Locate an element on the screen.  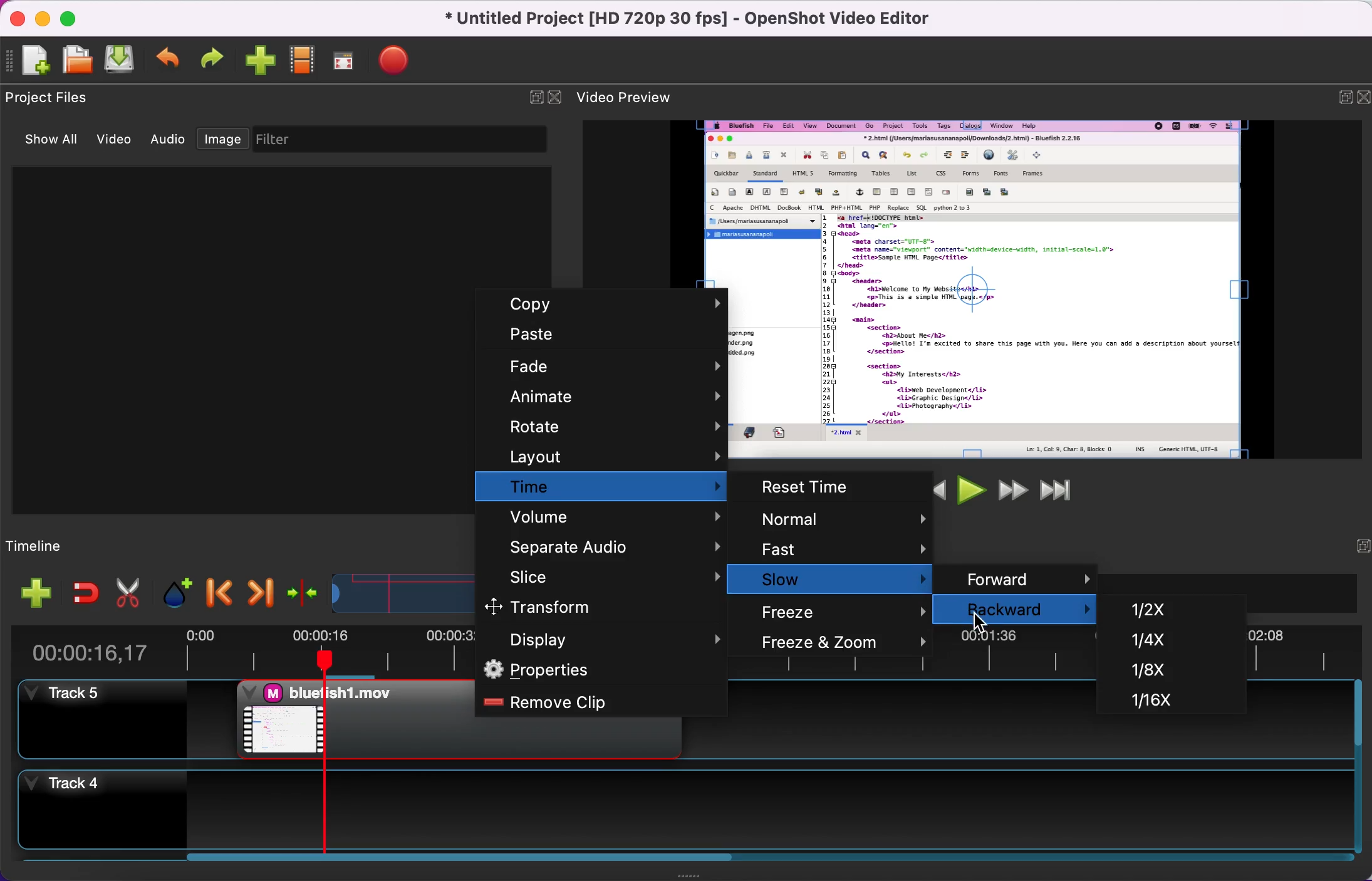
paste is located at coordinates (603, 334).